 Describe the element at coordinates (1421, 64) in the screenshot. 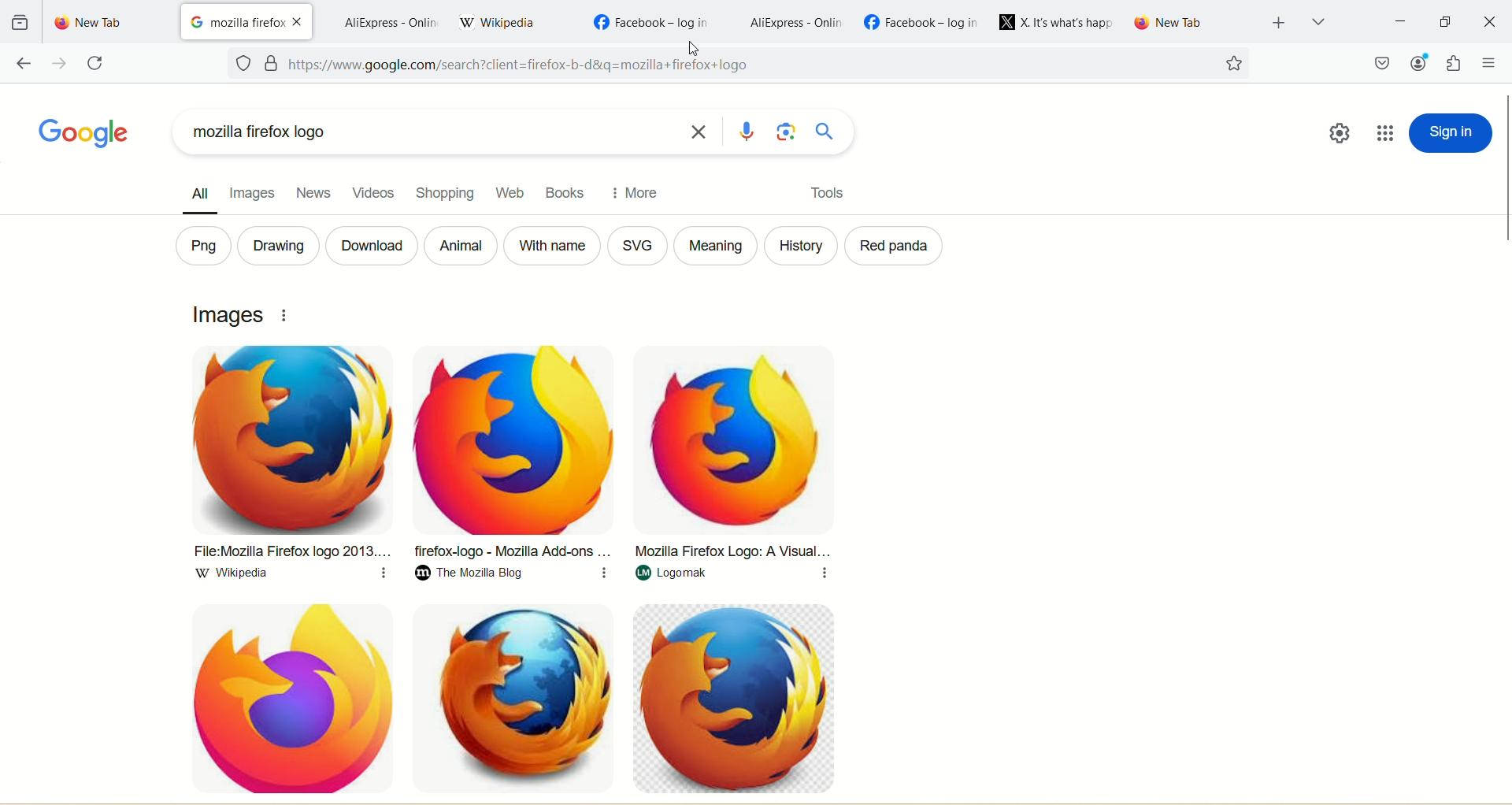

I see `account` at that location.